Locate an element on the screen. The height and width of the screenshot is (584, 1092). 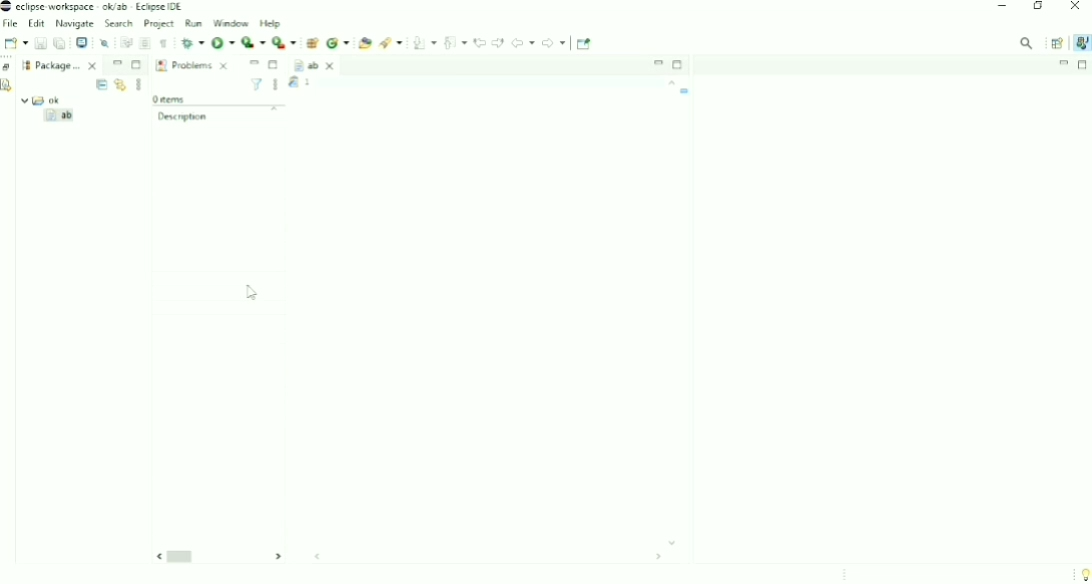
Help is located at coordinates (272, 23).